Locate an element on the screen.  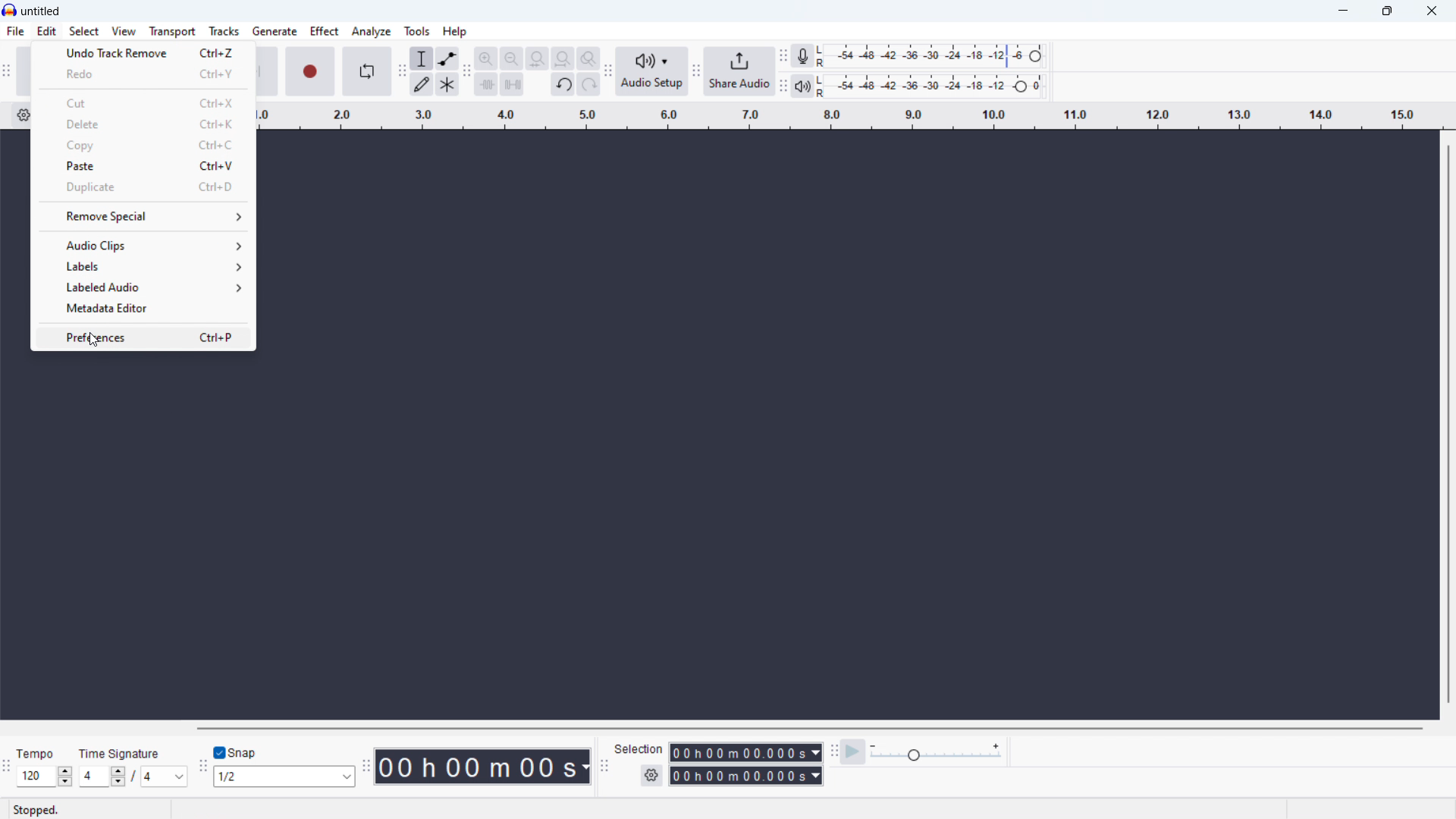
cut is located at coordinates (145, 102).